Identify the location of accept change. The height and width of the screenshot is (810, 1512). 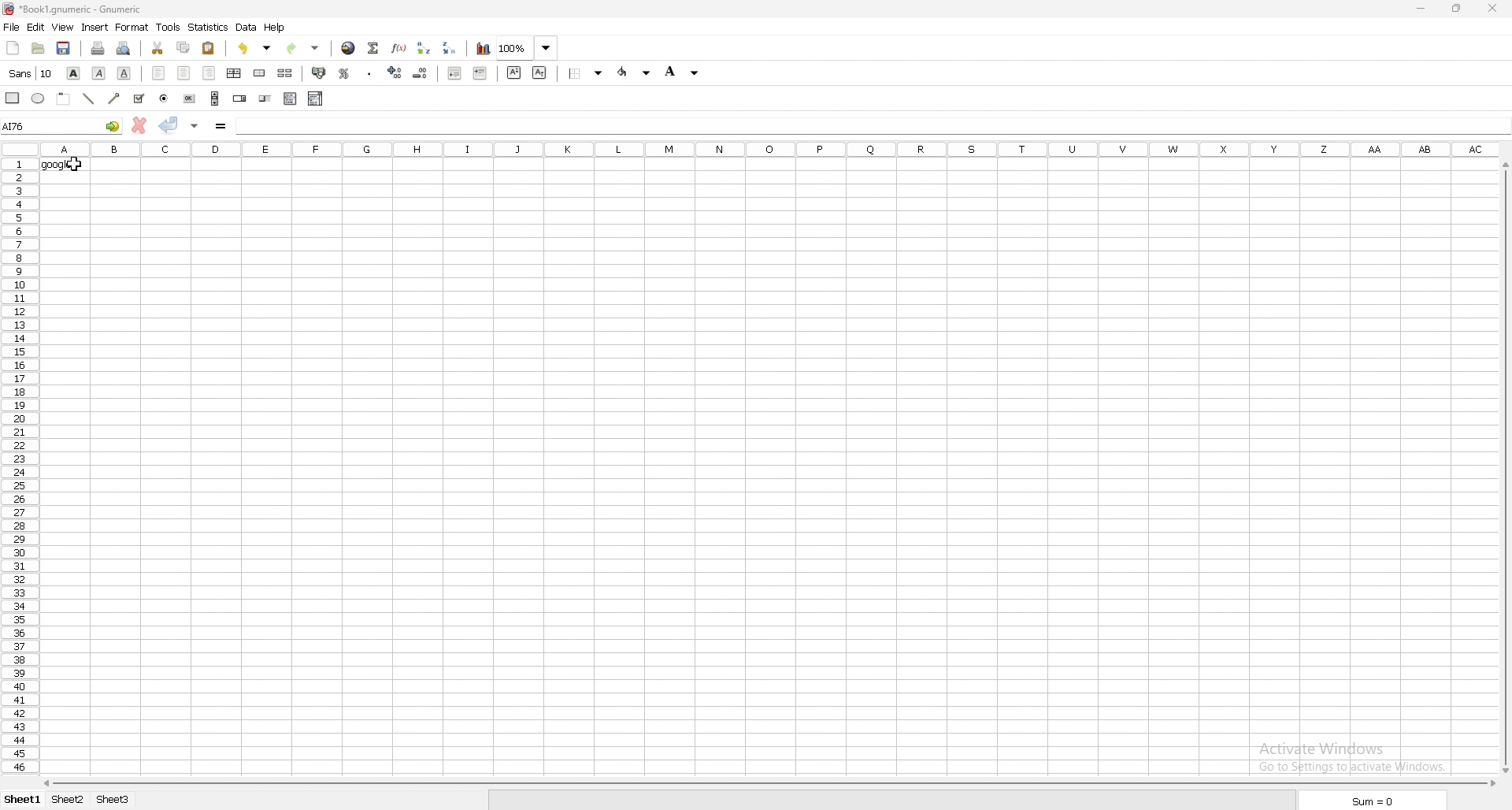
(169, 124).